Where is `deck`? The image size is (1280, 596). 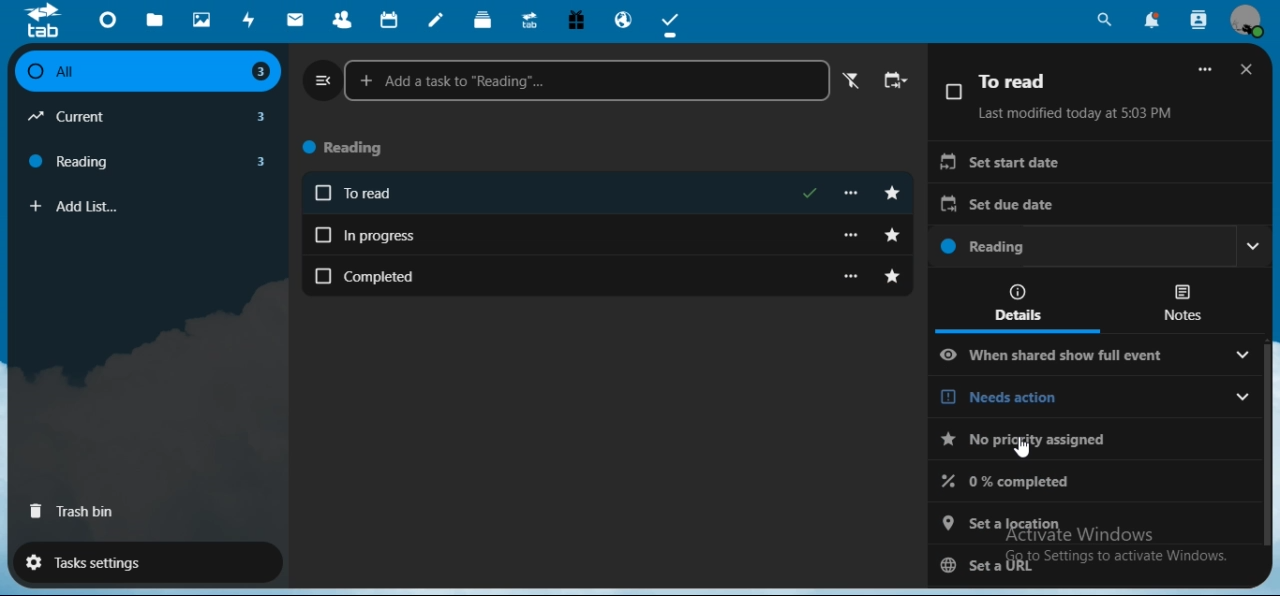 deck is located at coordinates (483, 18).